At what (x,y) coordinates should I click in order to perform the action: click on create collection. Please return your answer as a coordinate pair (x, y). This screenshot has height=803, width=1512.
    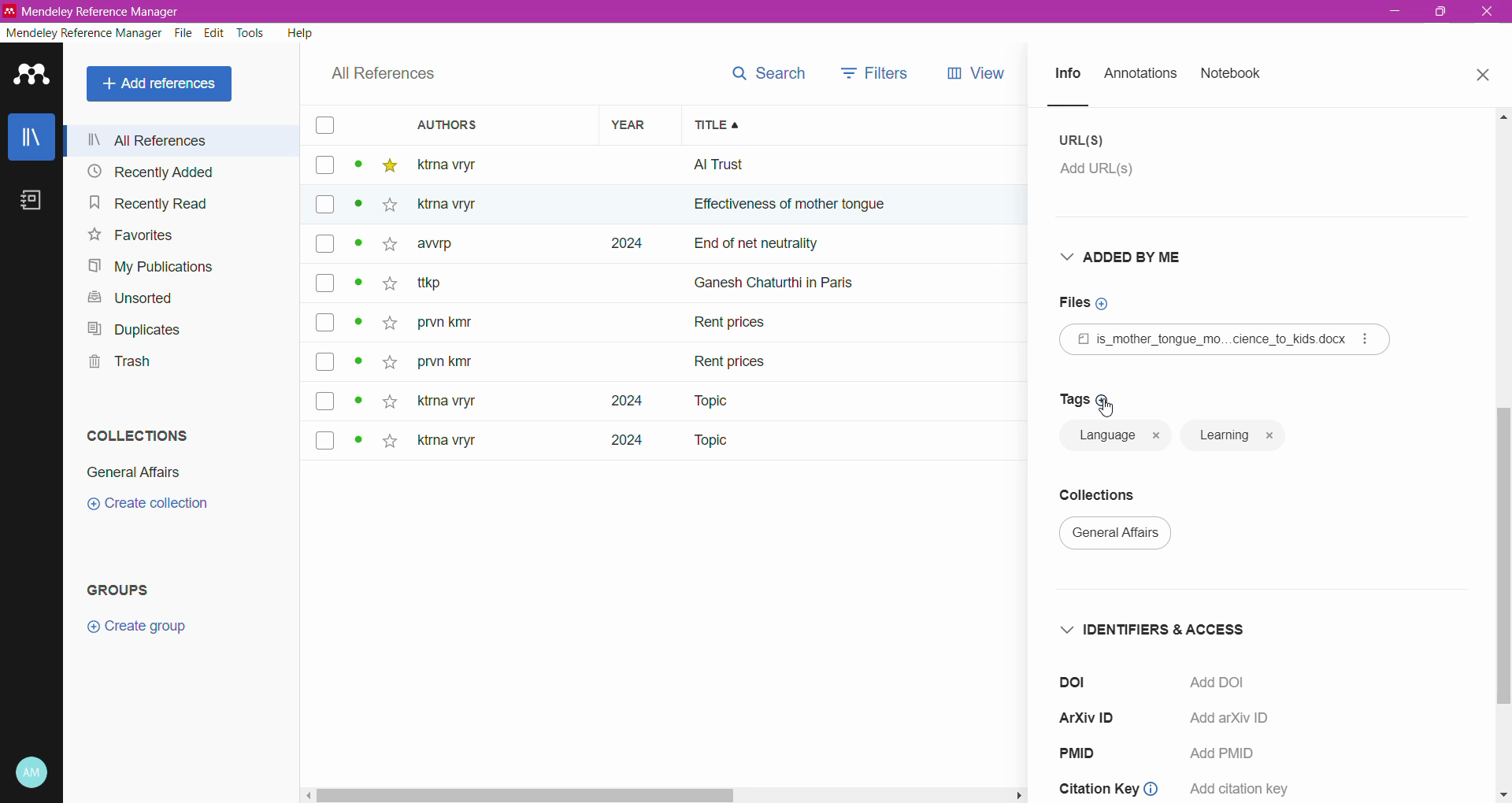
    Looking at the image, I should click on (159, 509).